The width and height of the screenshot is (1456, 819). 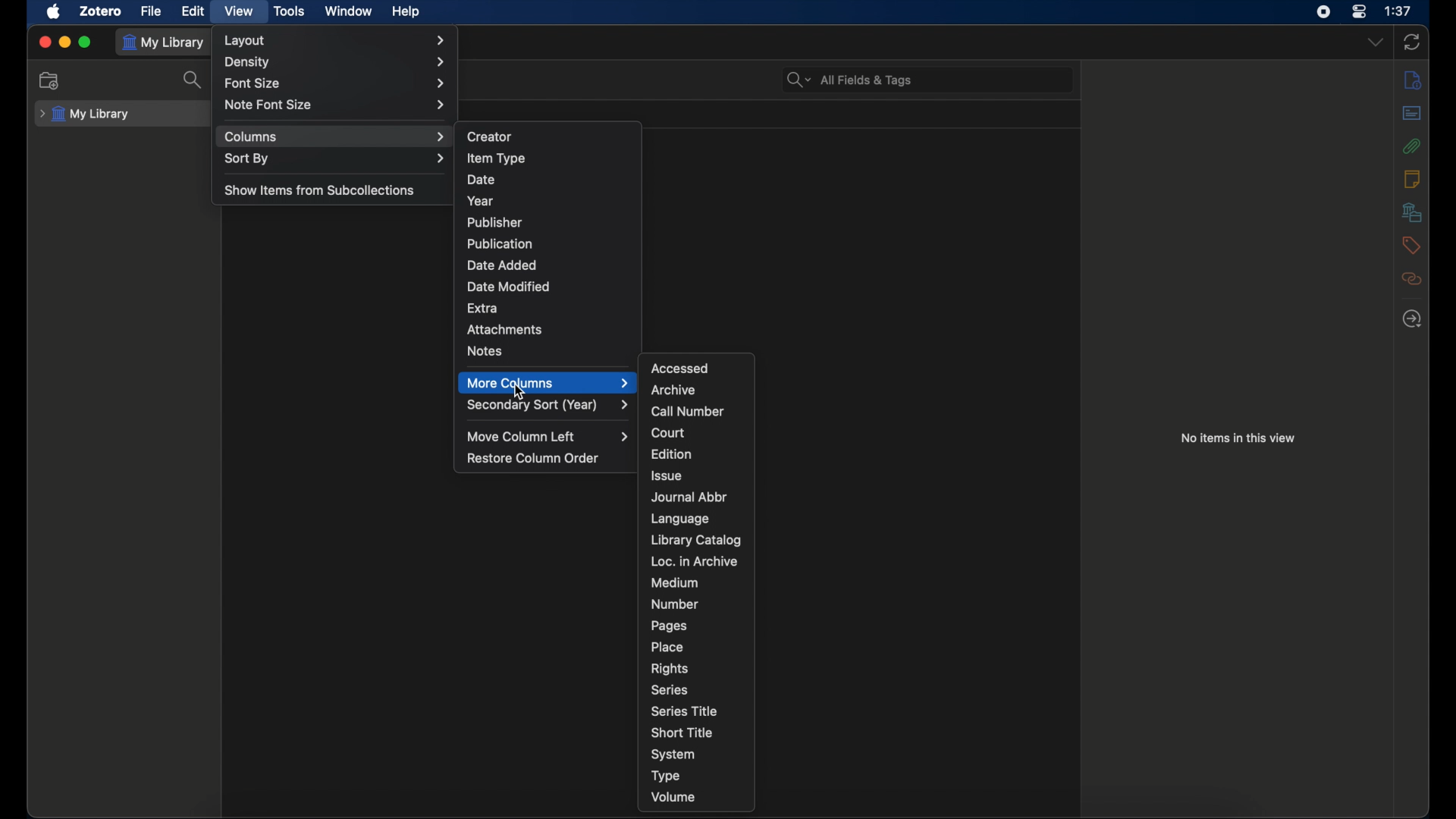 What do you see at coordinates (1398, 11) in the screenshot?
I see `1:37` at bounding box center [1398, 11].